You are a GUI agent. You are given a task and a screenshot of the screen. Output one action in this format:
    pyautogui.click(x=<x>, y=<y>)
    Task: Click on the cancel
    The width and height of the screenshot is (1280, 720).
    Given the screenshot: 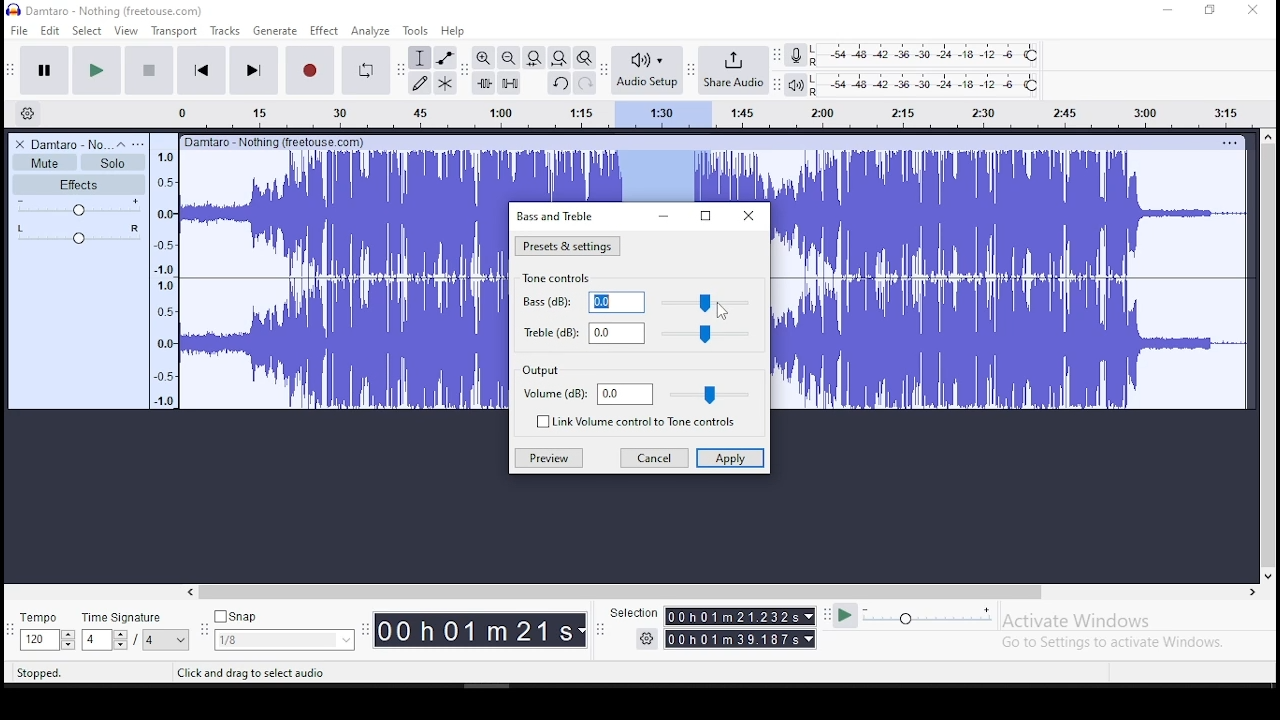 What is the action you would take?
    pyautogui.click(x=654, y=460)
    